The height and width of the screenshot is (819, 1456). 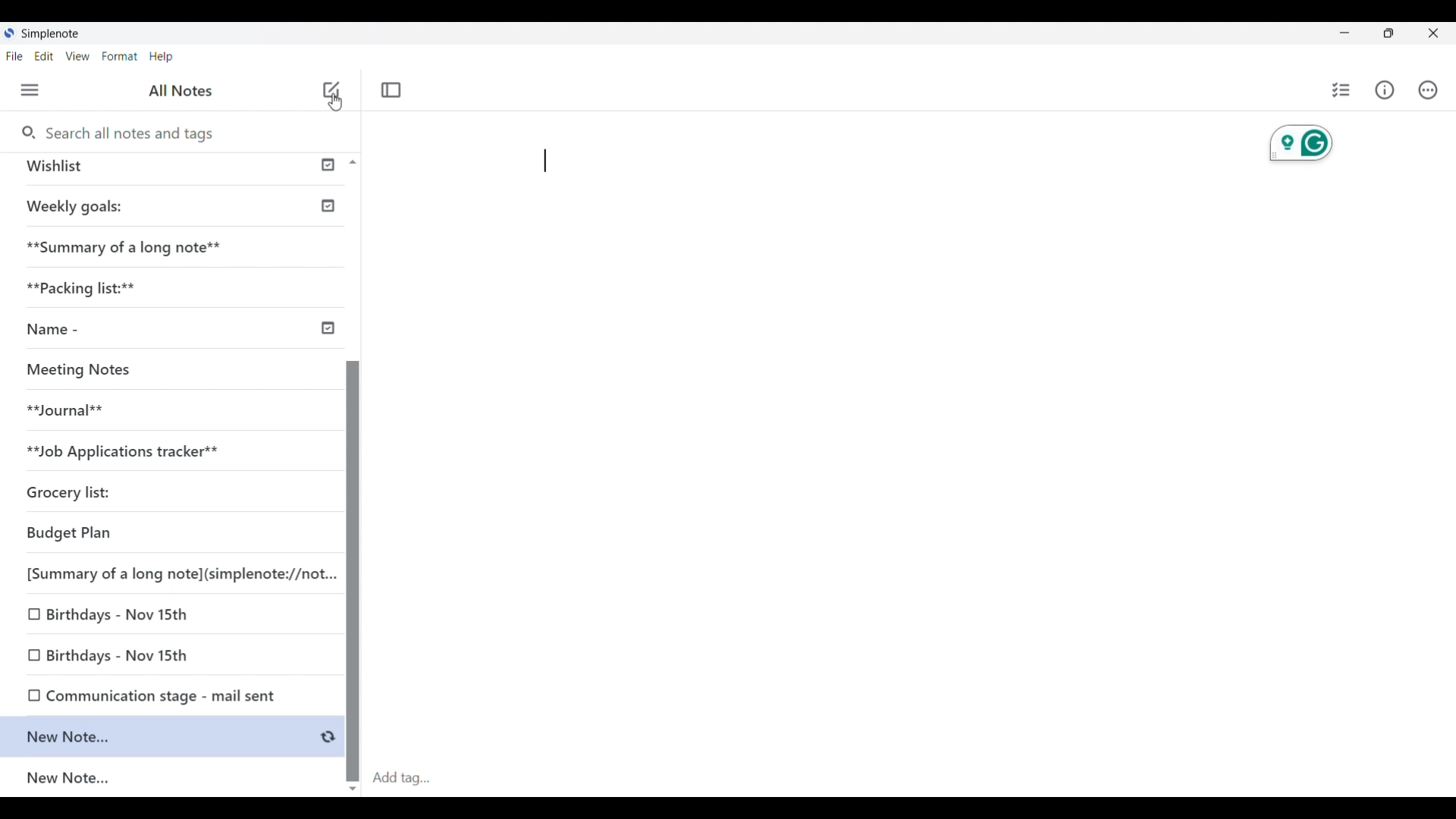 I want to click on Close interface, so click(x=1432, y=33).